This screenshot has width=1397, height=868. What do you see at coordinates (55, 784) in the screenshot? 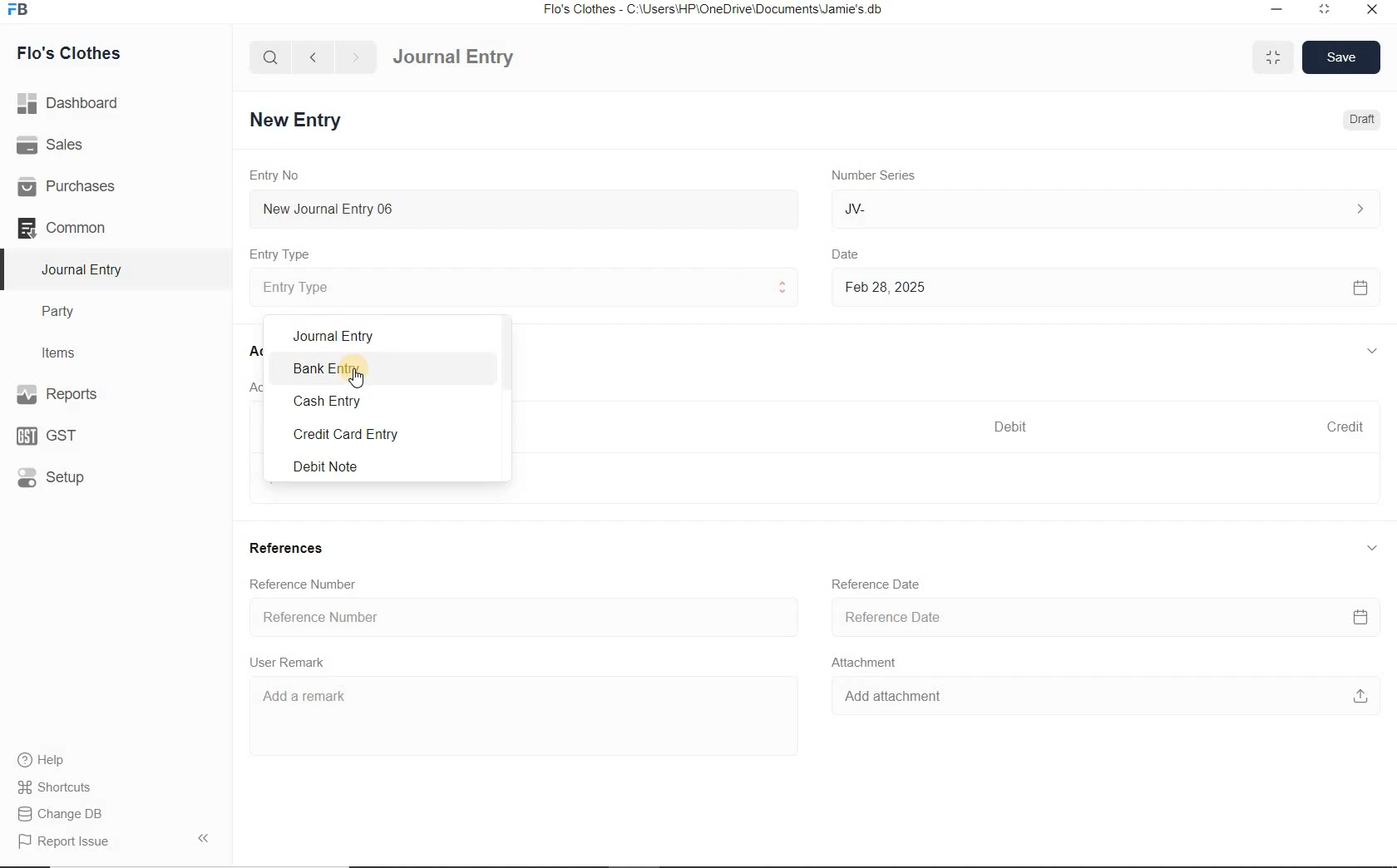
I see `Shortcuts` at bounding box center [55, 784].